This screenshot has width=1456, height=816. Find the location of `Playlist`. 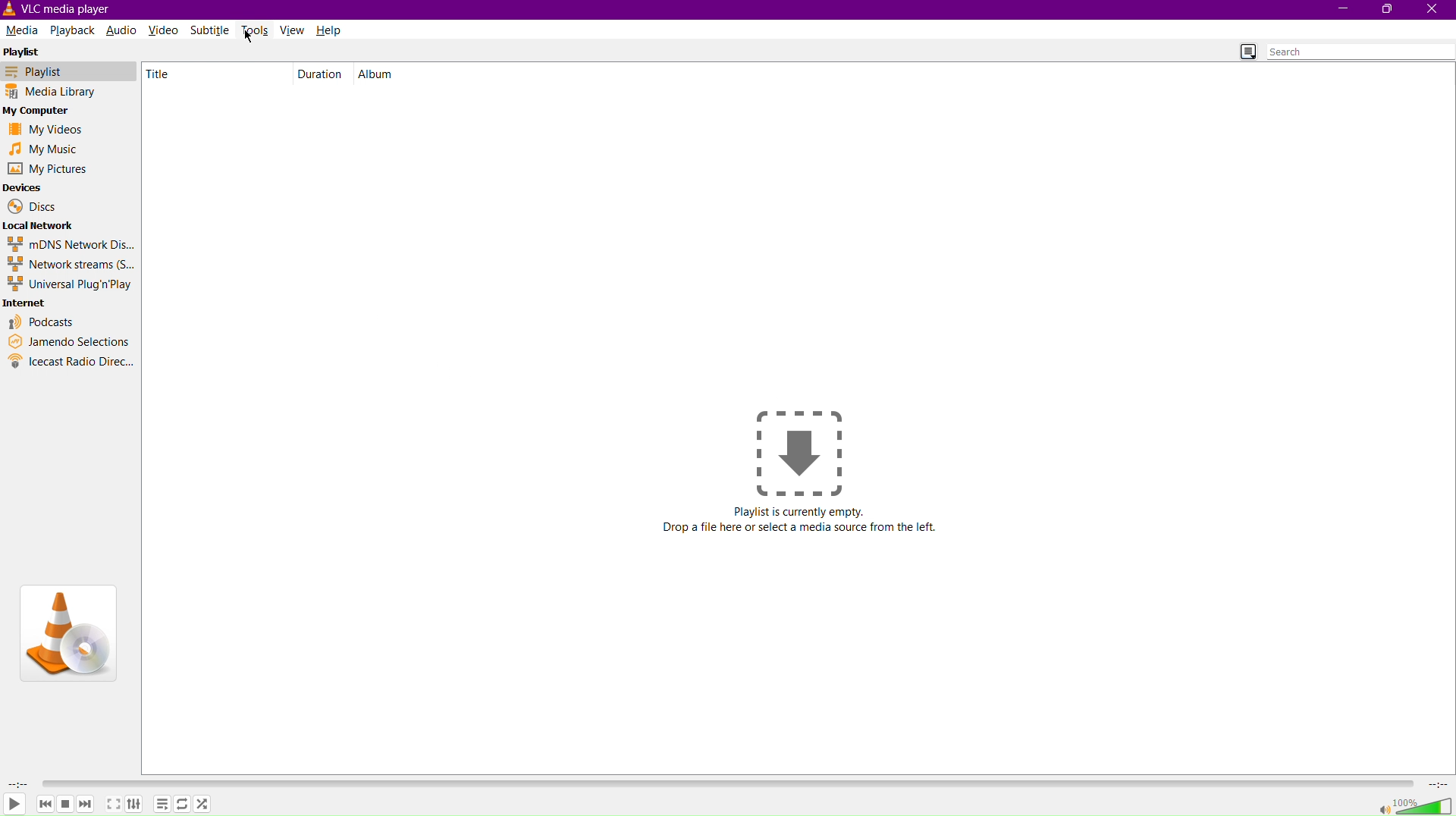

Playlist is located at coordinates (69, 71).